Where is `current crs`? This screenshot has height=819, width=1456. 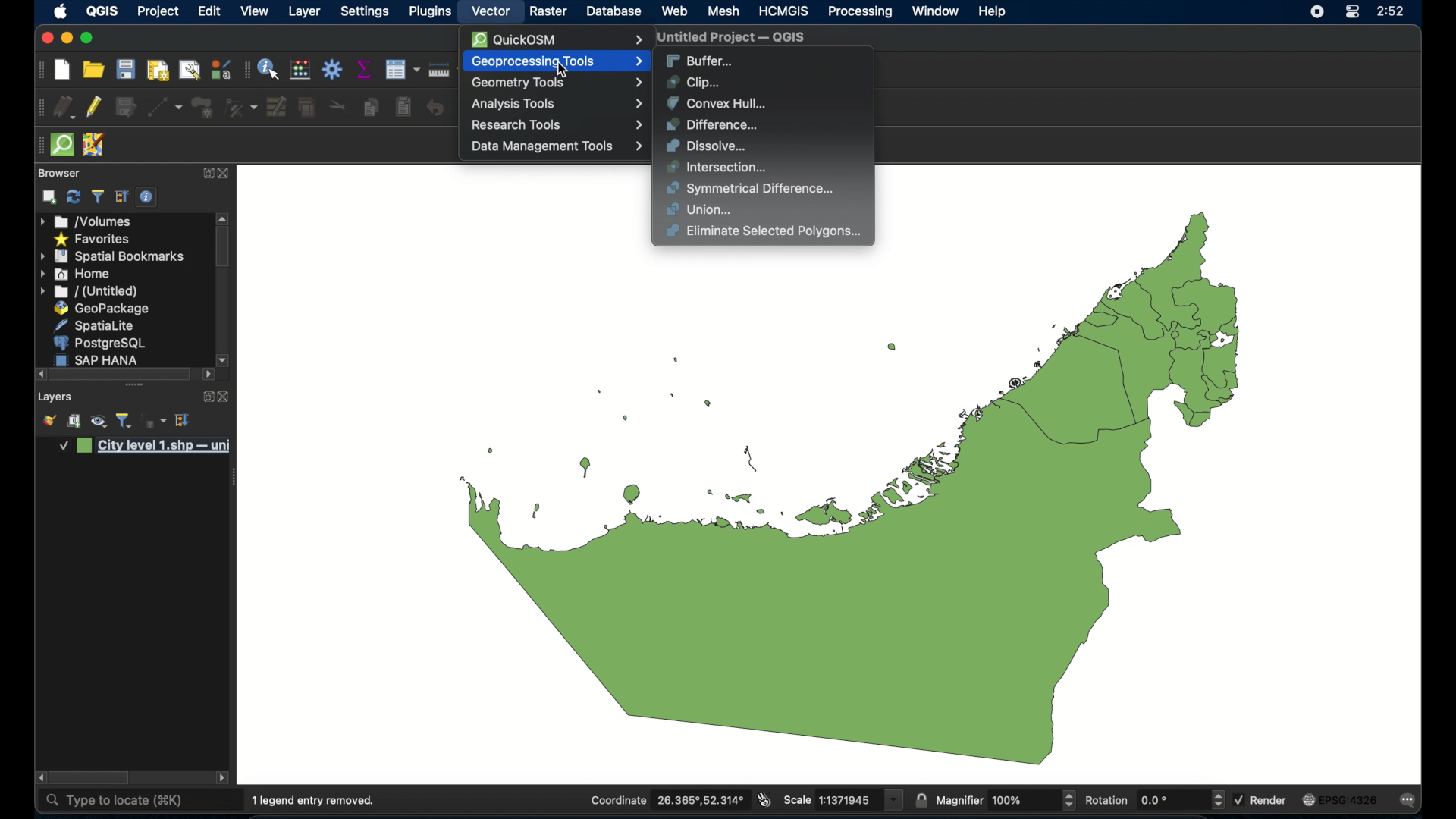
current crs is located at coordinates (1339, 799).